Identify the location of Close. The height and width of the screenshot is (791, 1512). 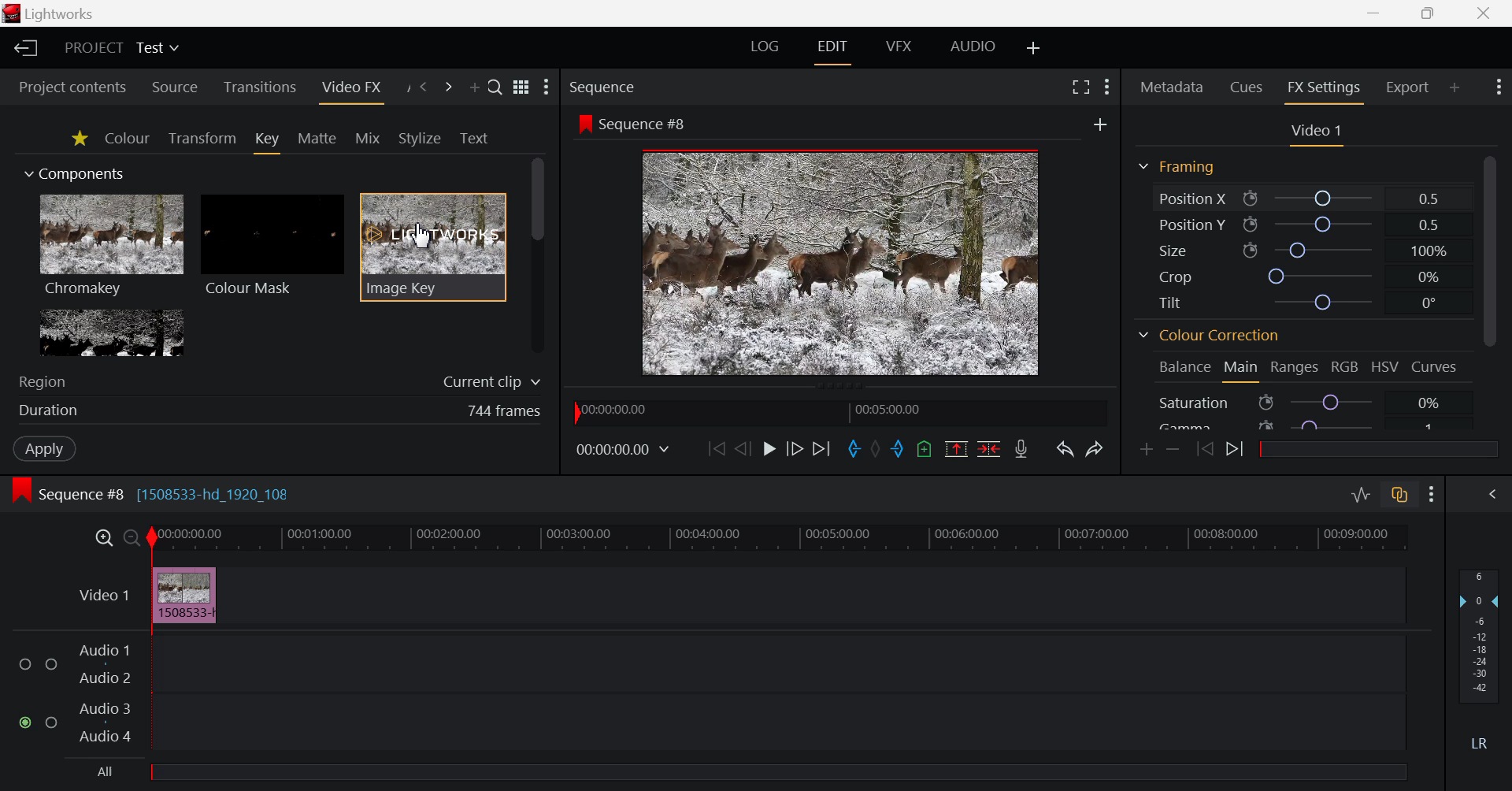
(1484, 13).